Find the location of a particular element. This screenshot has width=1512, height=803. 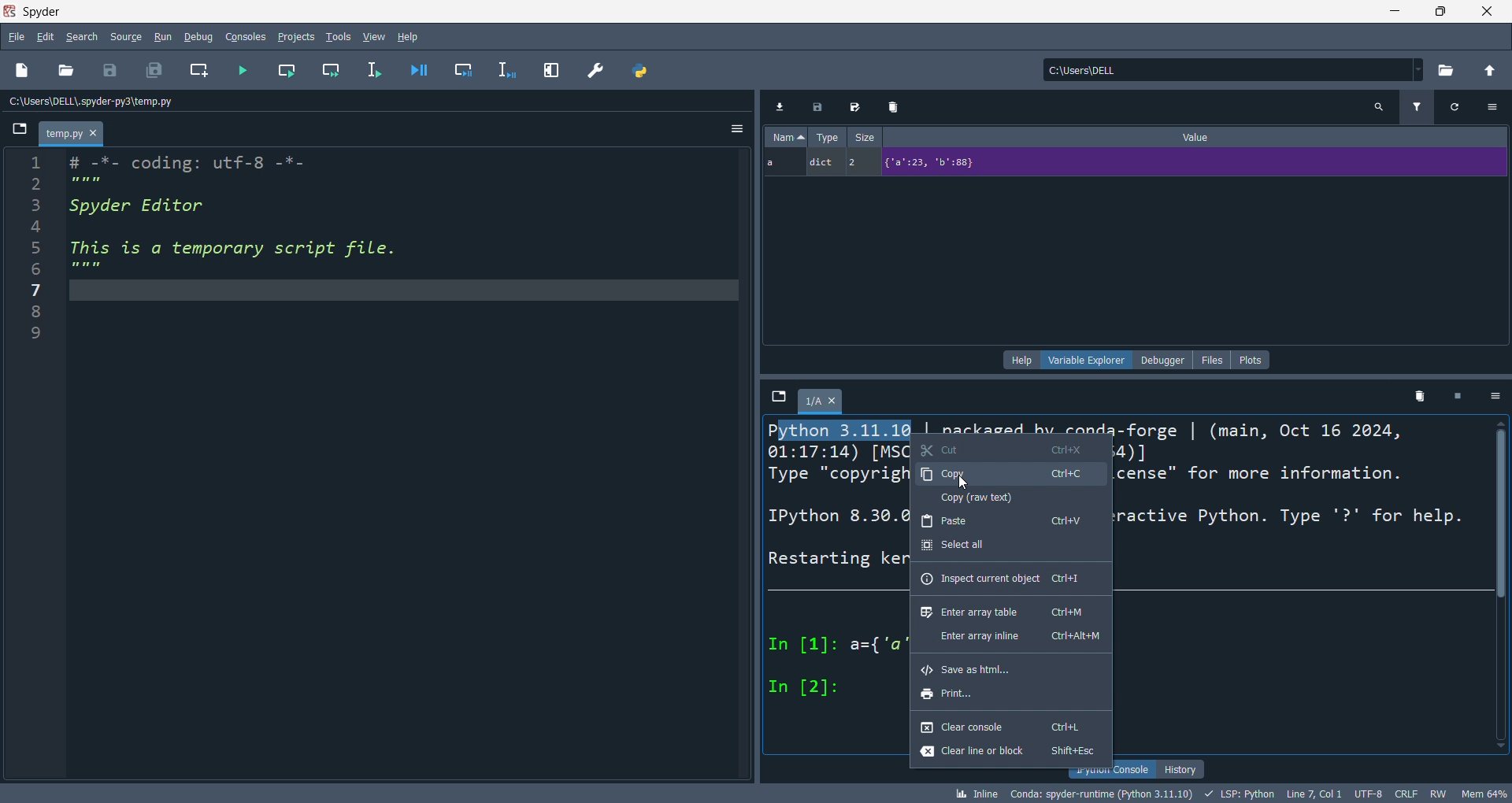

inspect current object is located at coordinates (1003, 579).